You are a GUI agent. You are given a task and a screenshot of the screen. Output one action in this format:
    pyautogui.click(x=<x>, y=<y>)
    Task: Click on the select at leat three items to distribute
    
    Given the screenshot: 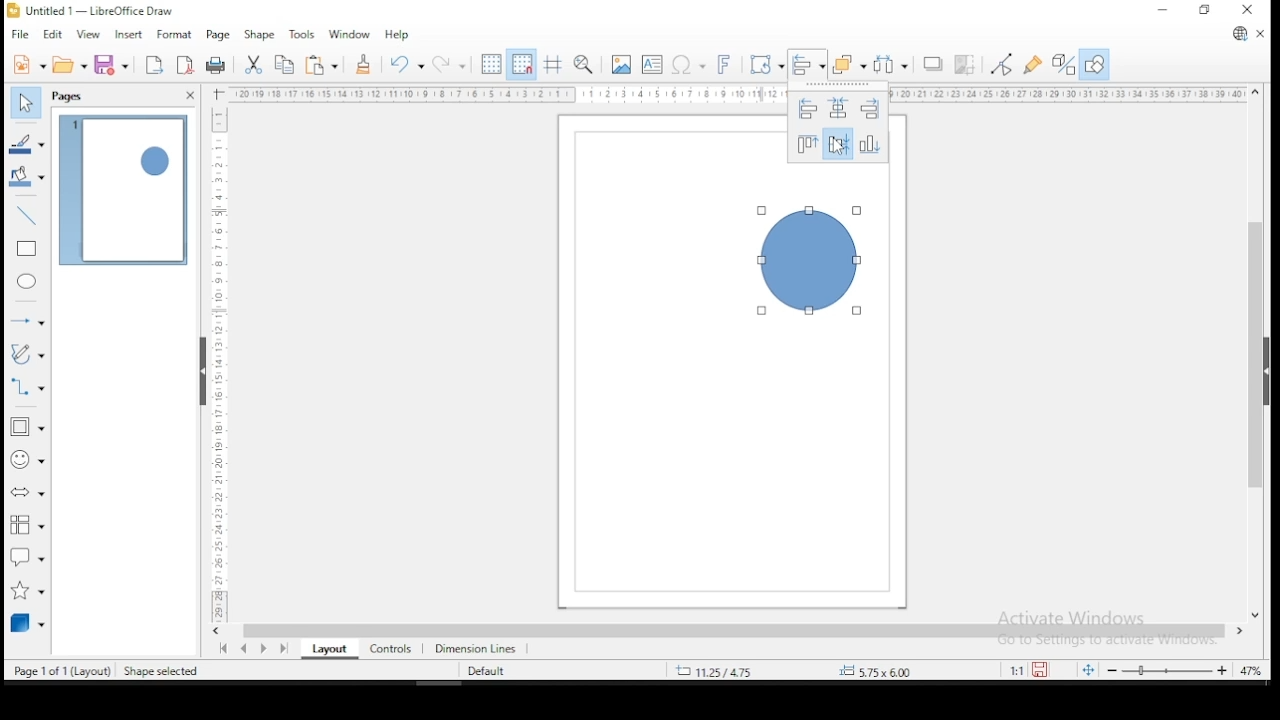 What is the action you would take?
    pyautogui.click(x=892, y=64)
    